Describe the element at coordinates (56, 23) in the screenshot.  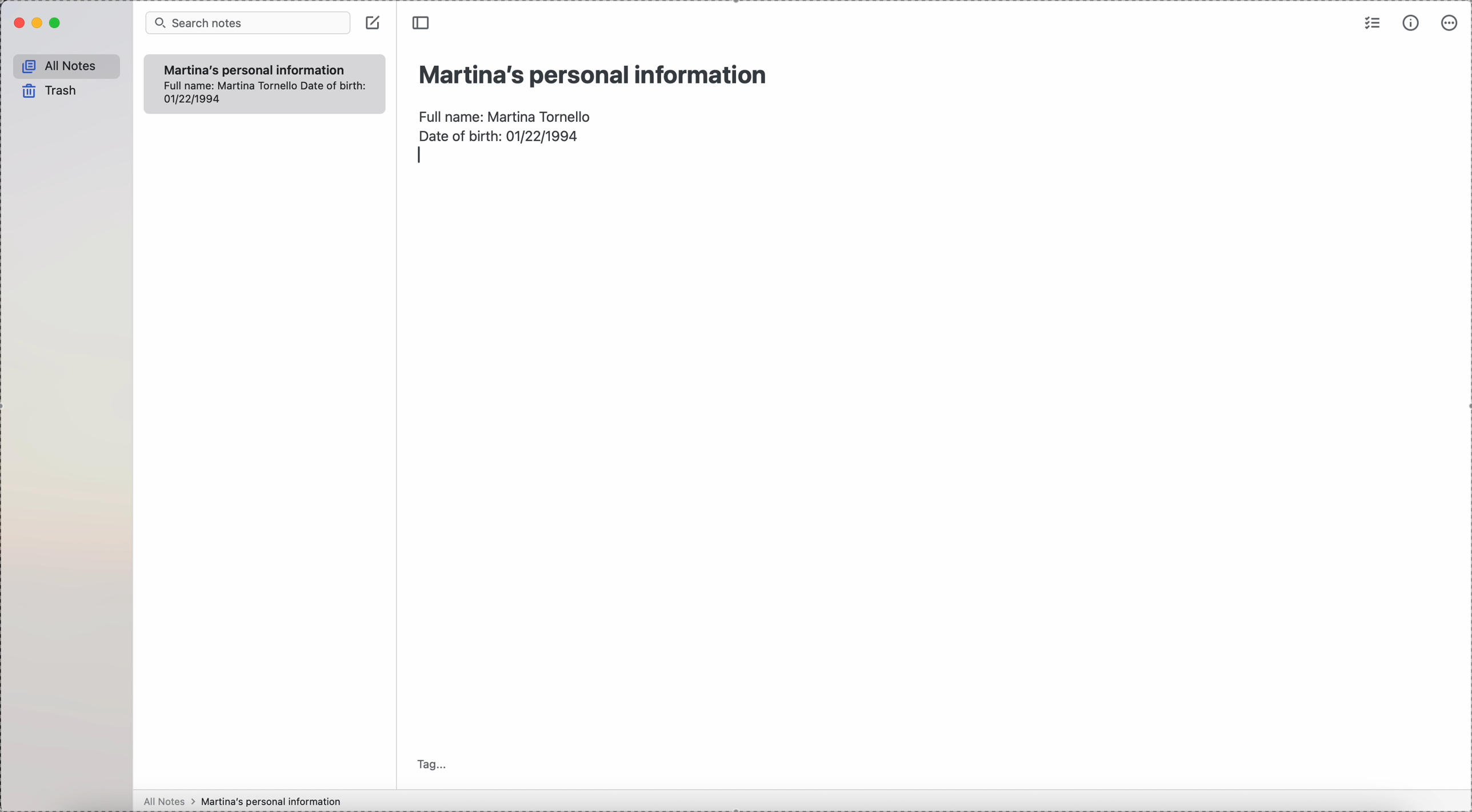
I see `maximize Simplenote` at that location.